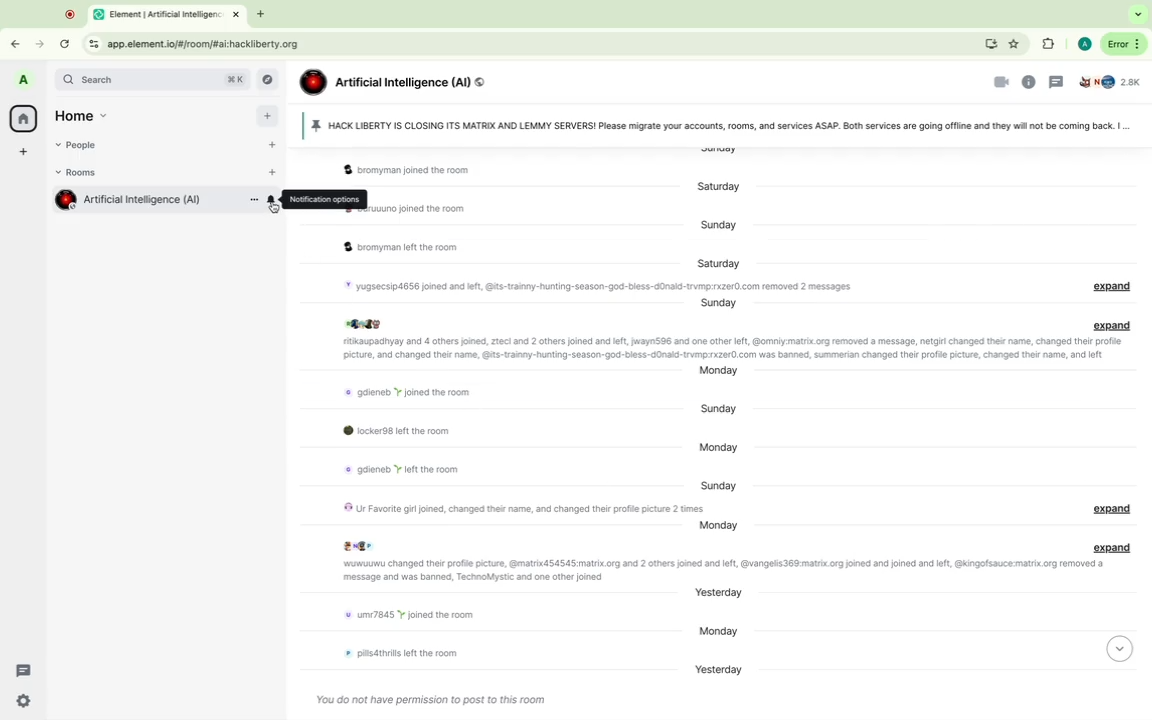  I want to click on Message, so click(396, 470).